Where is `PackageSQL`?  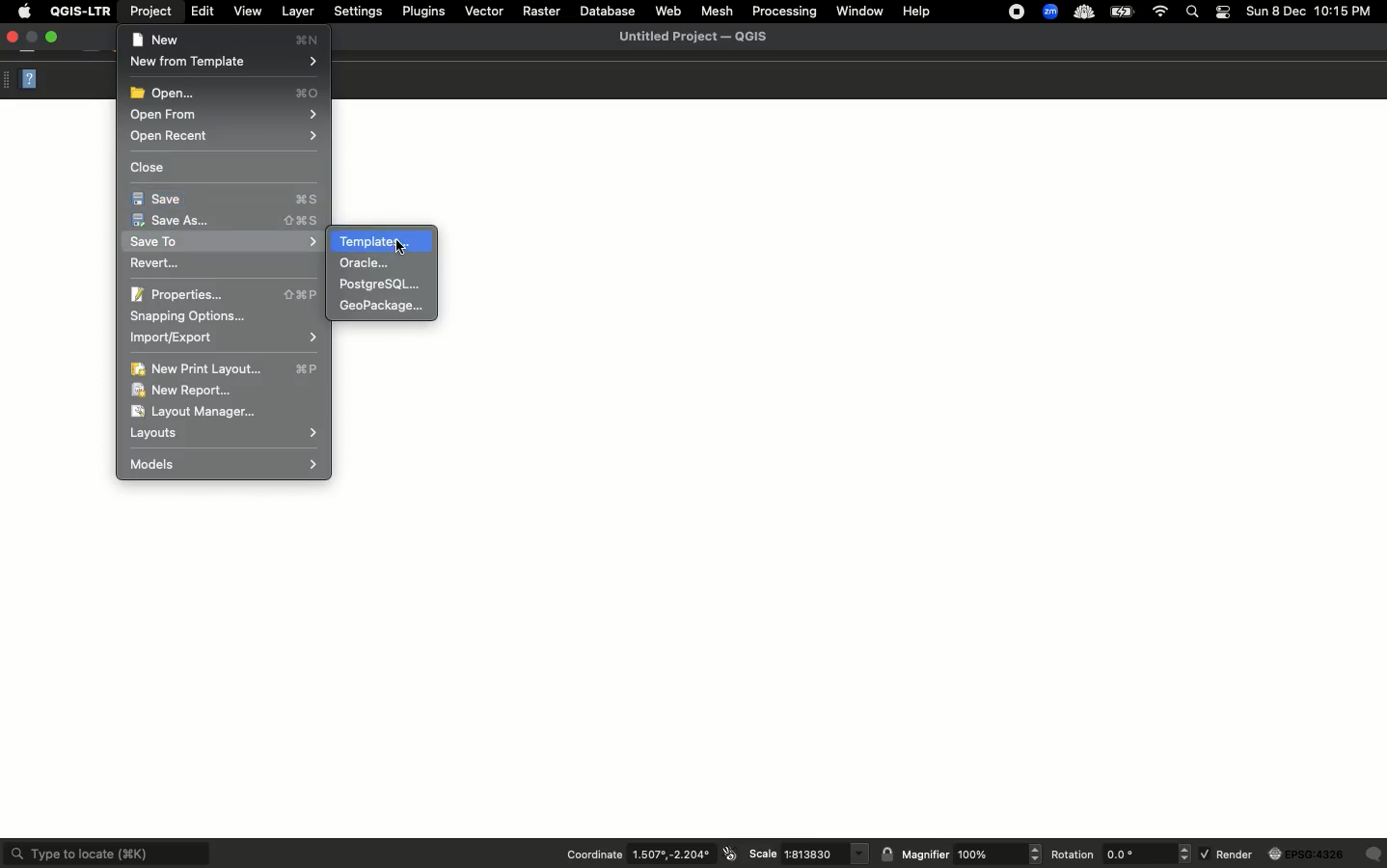
PackageSQL is located at coordinates (386, 285).